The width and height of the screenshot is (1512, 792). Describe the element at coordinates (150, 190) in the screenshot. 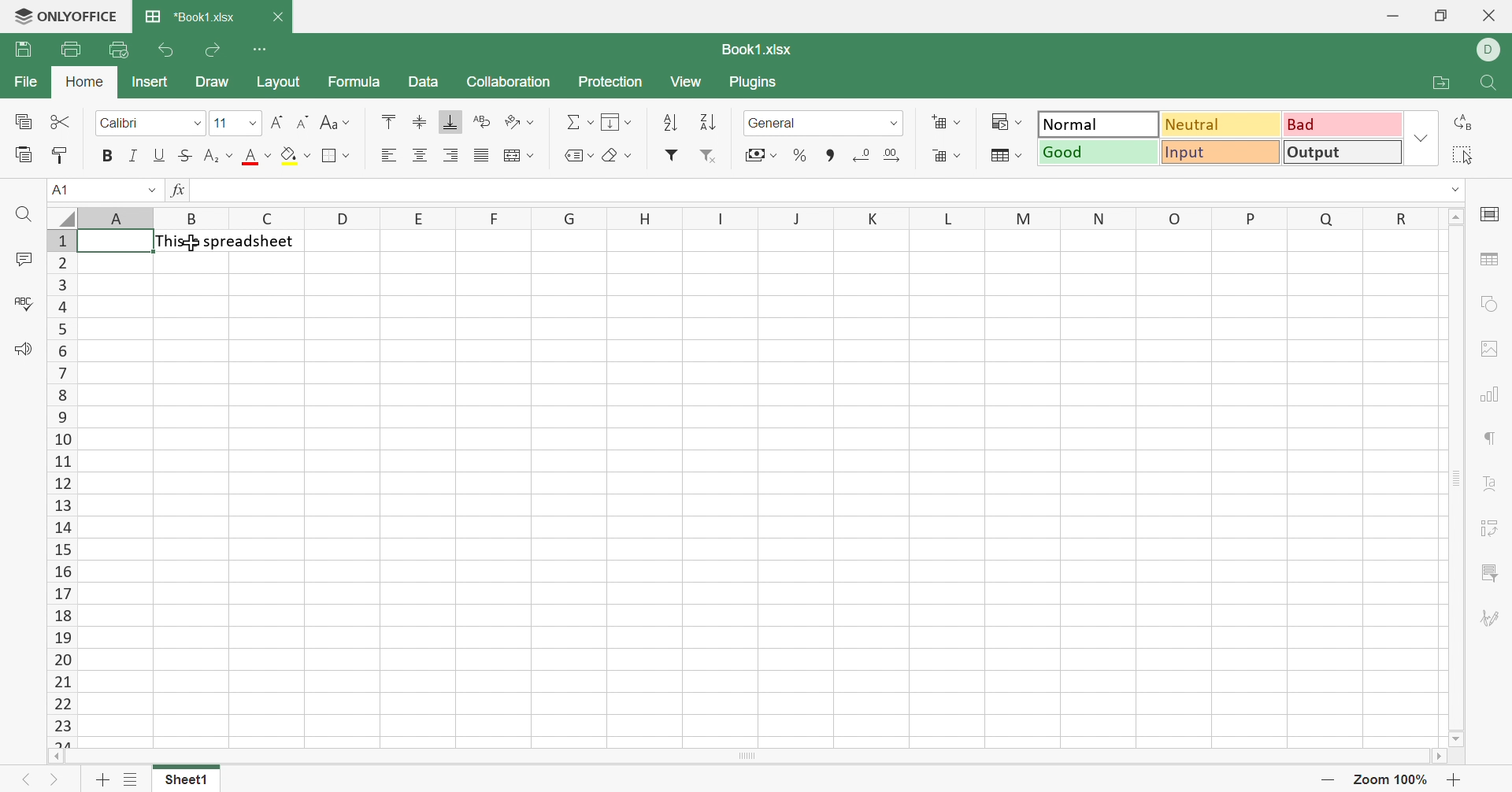

I see `Drop Down` at that location.